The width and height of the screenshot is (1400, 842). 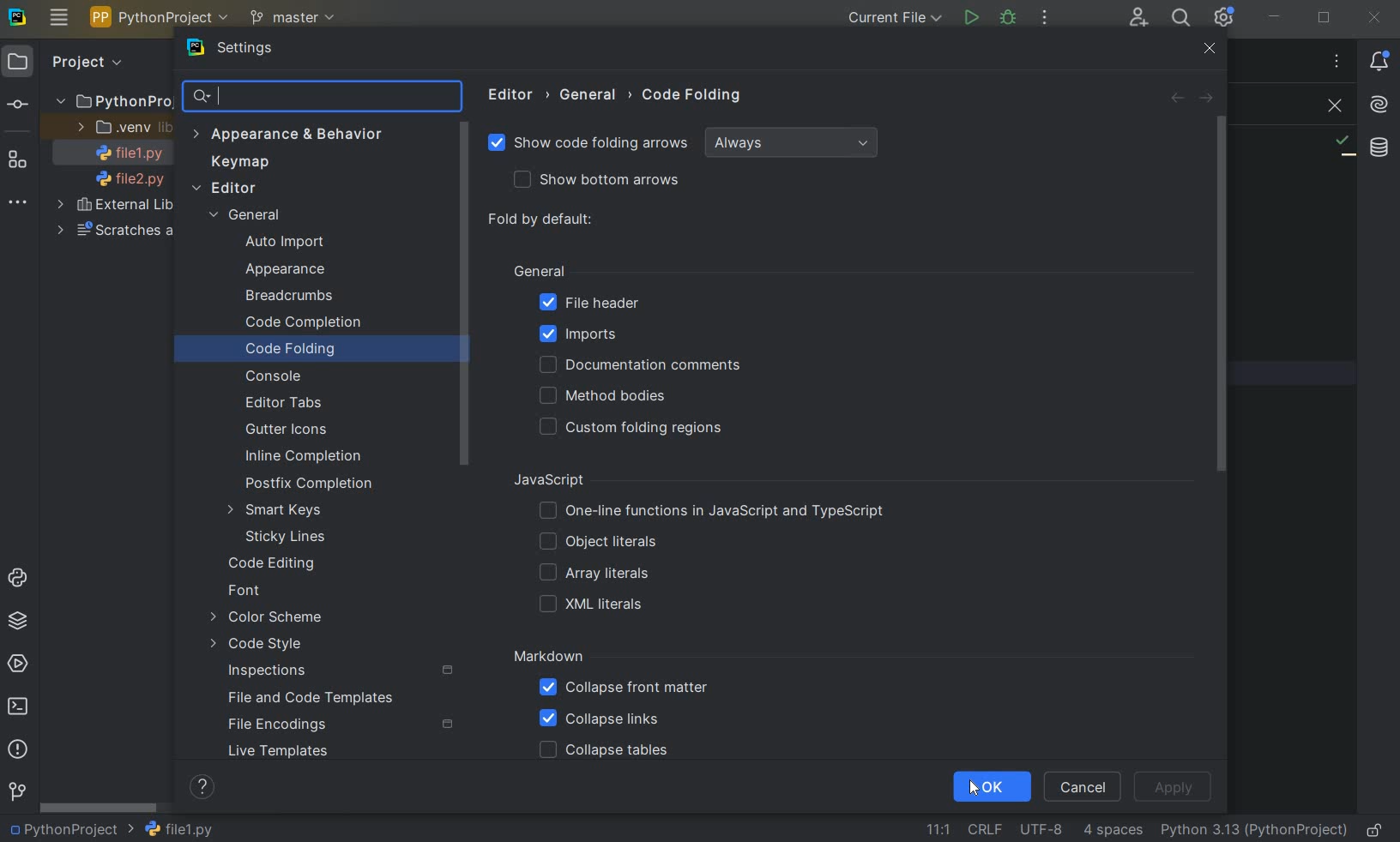 What do you see at coordinates (1343, 146) in the screenshot?
I see `NO PROBLEMS FOUND` at bounding box center [1343, 146].